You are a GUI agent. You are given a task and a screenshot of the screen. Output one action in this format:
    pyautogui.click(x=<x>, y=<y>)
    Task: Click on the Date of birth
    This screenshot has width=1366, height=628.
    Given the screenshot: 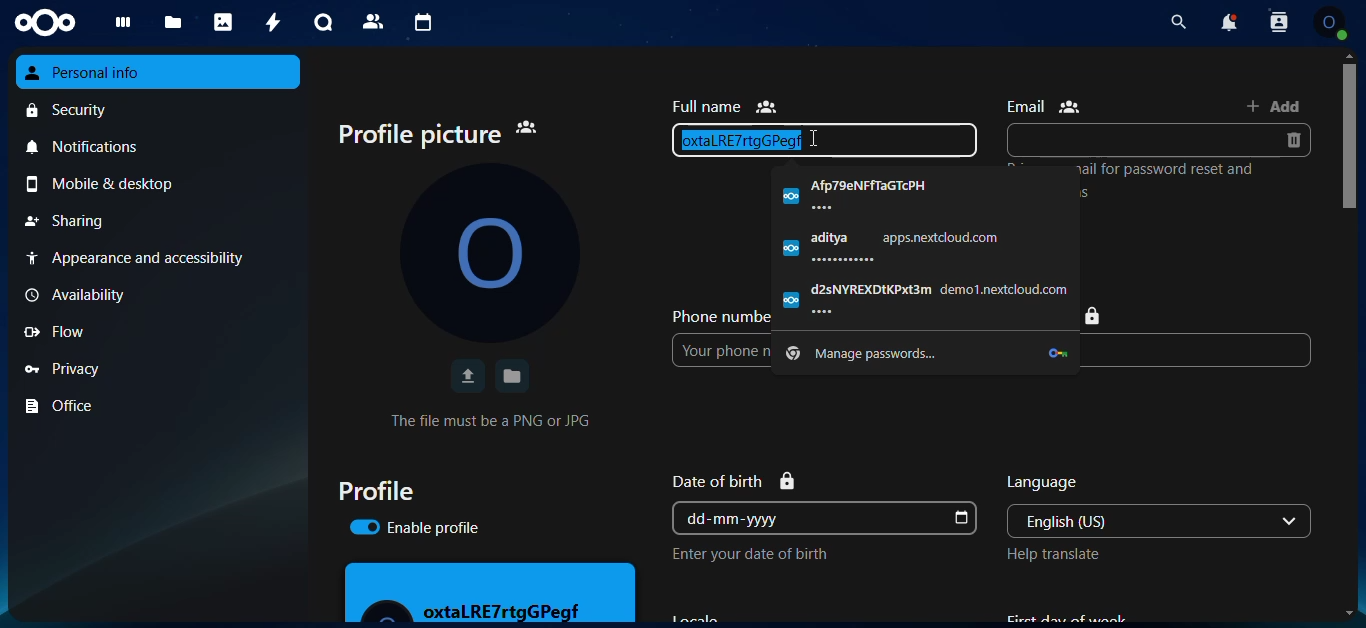 What is the action you would take?
    pyautogui.click(x=734, y=481)
    